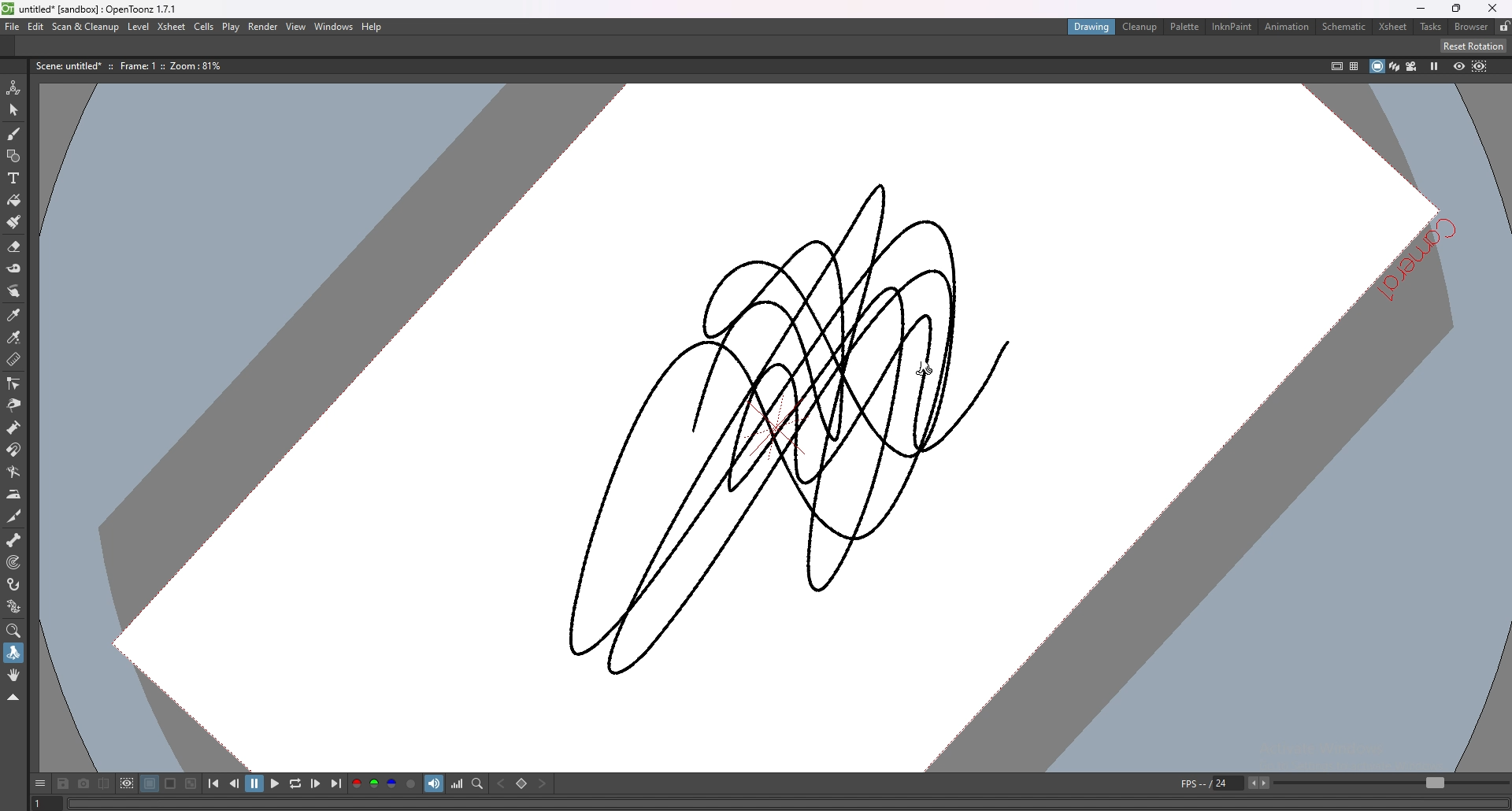  I want to click on player, so click(783, 803).